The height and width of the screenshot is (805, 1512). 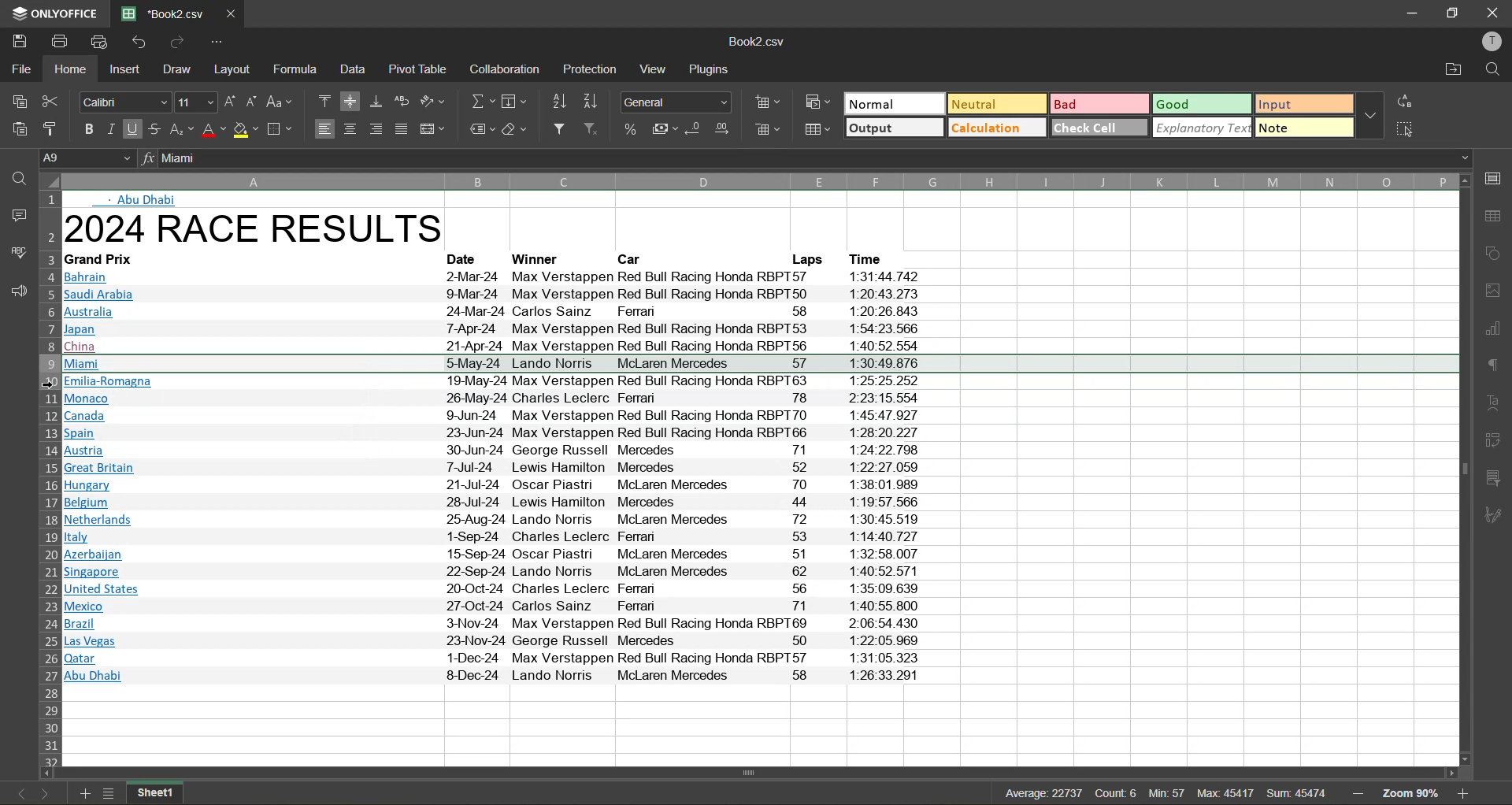 I want to click on increment size, so click(x=230, y=102).